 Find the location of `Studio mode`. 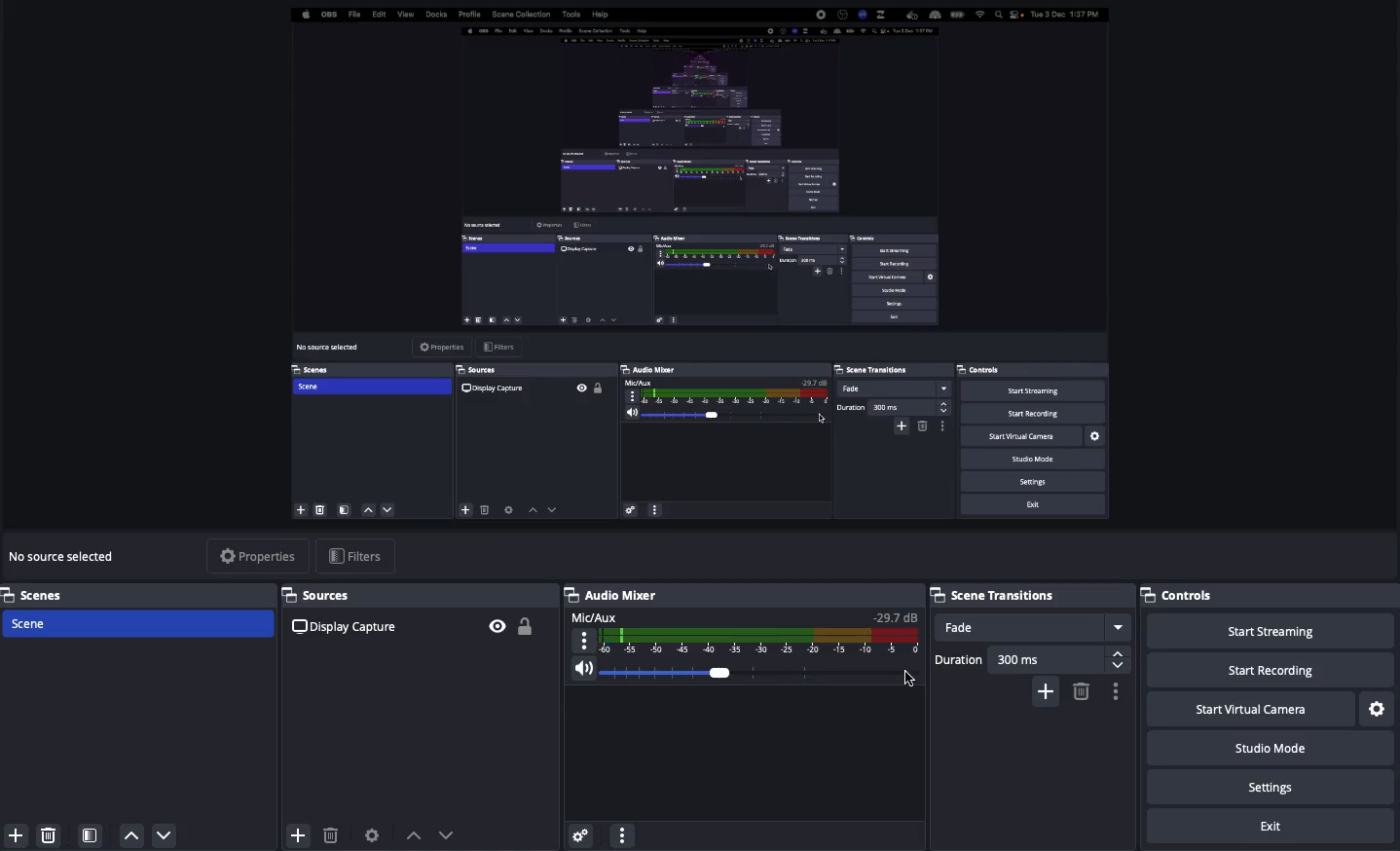

Studio mode is located at coordinates (1268, 752).